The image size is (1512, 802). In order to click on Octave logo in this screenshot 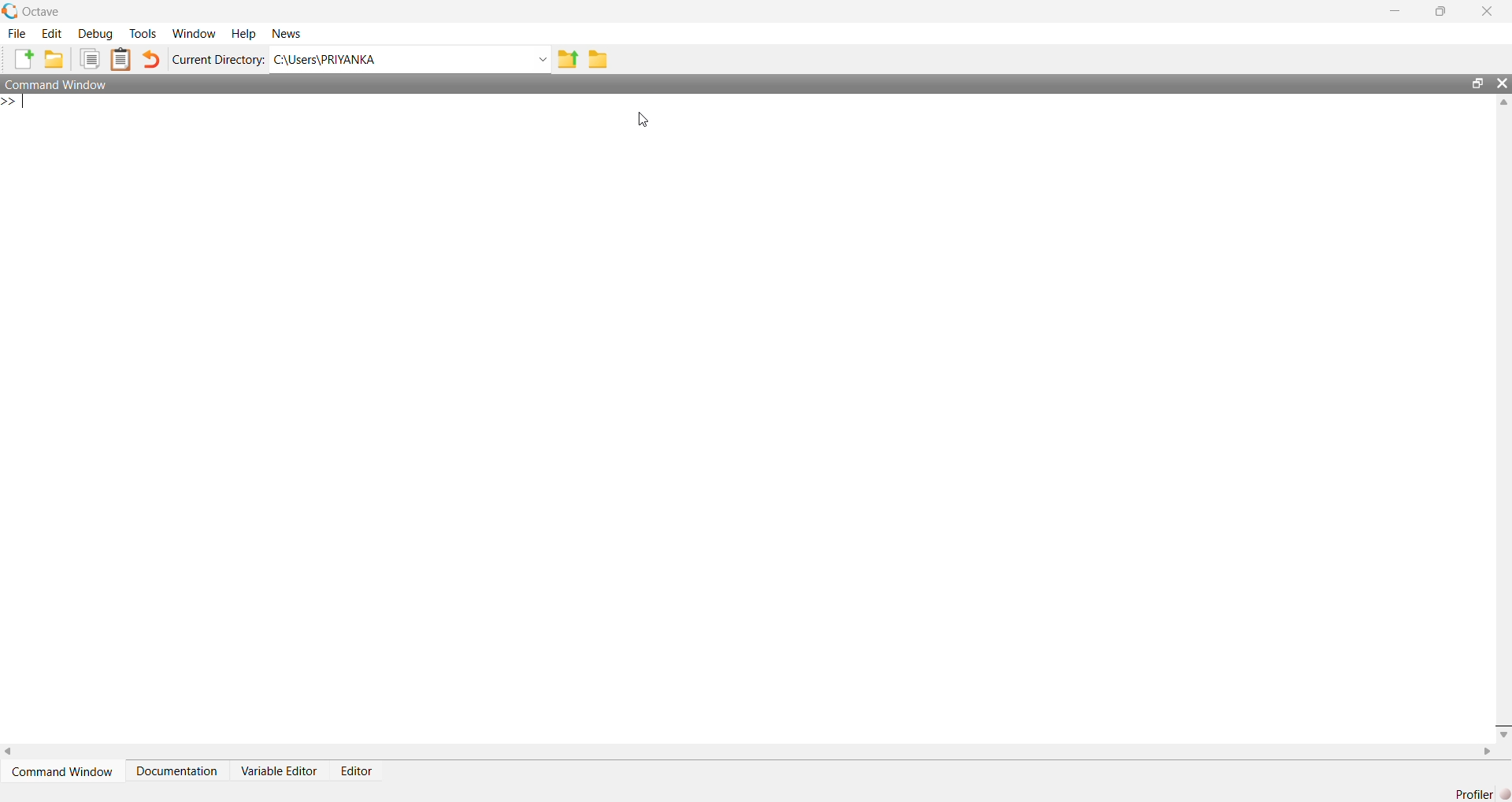, I will do `click(9, 10)`.